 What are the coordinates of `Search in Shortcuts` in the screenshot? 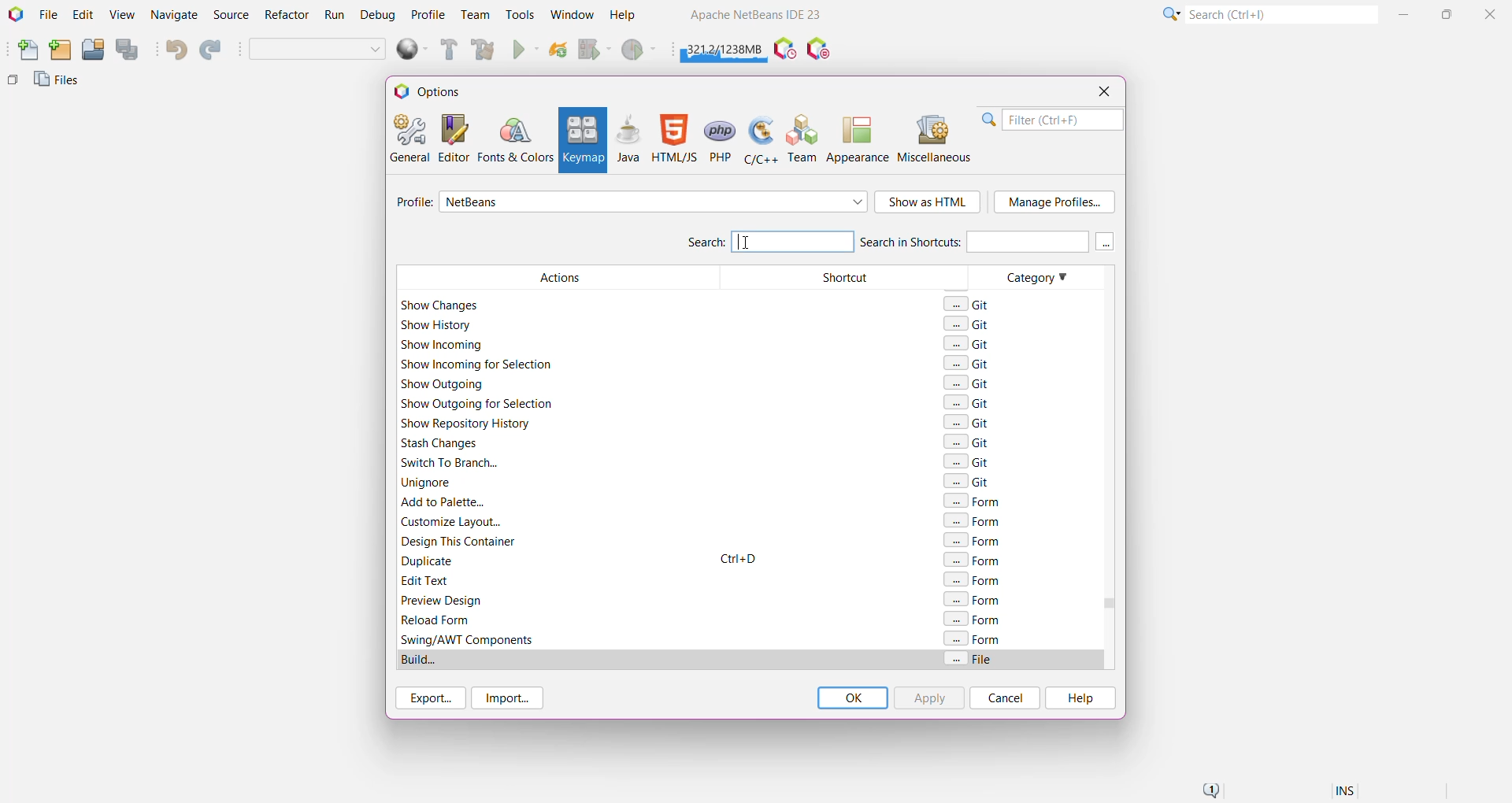 It's located at (973, 241).